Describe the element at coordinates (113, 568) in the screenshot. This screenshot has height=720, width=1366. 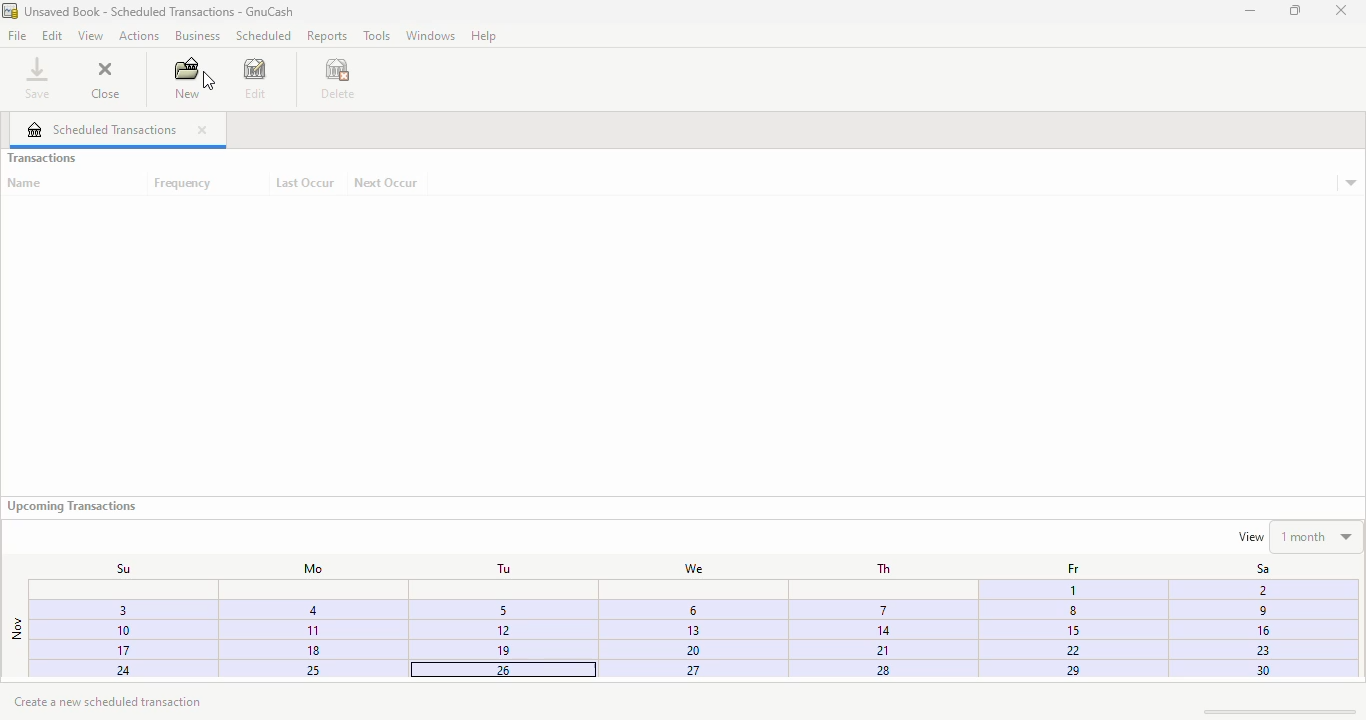
I see `Su` at that location.